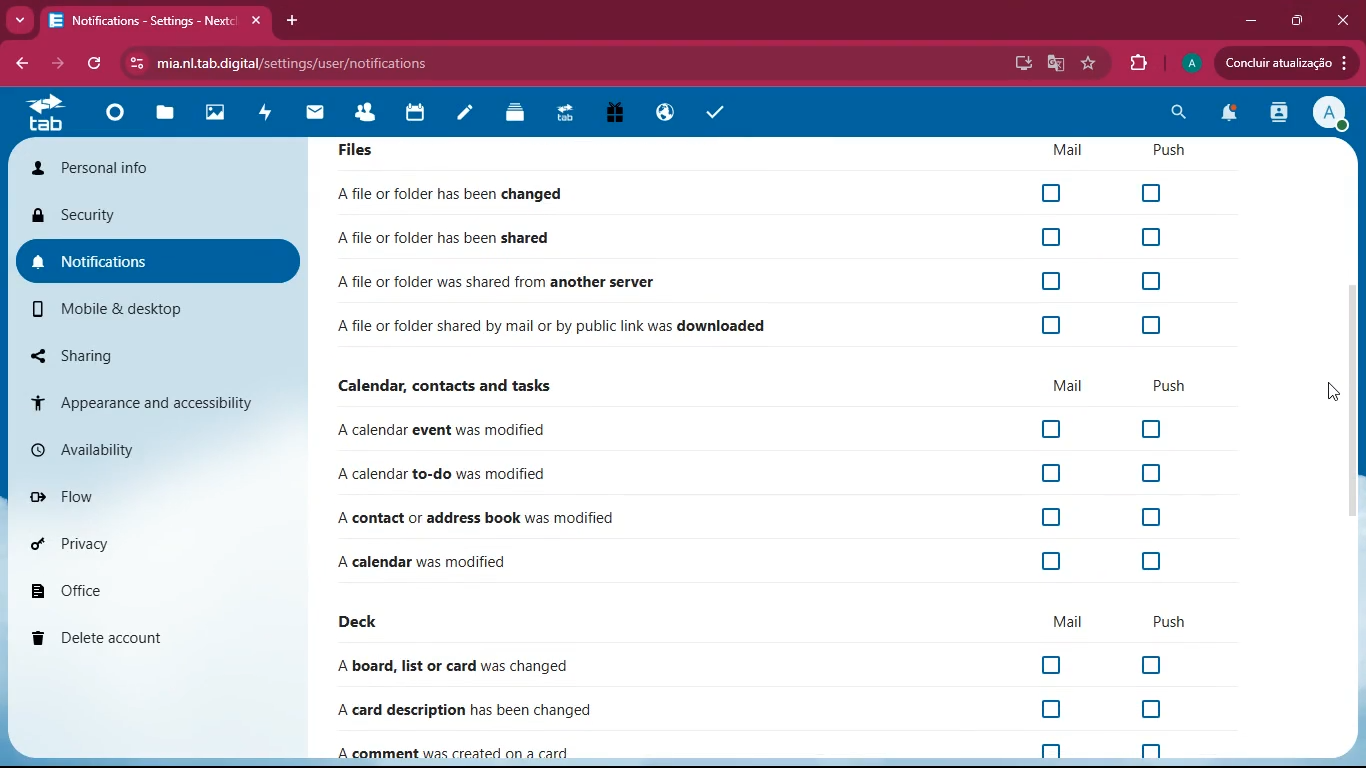 The image size is (1366, 768). What do you see at coordinates (549, 281) in the screenshot?
I see `file shared from another server` at bounding box center [549, 281].